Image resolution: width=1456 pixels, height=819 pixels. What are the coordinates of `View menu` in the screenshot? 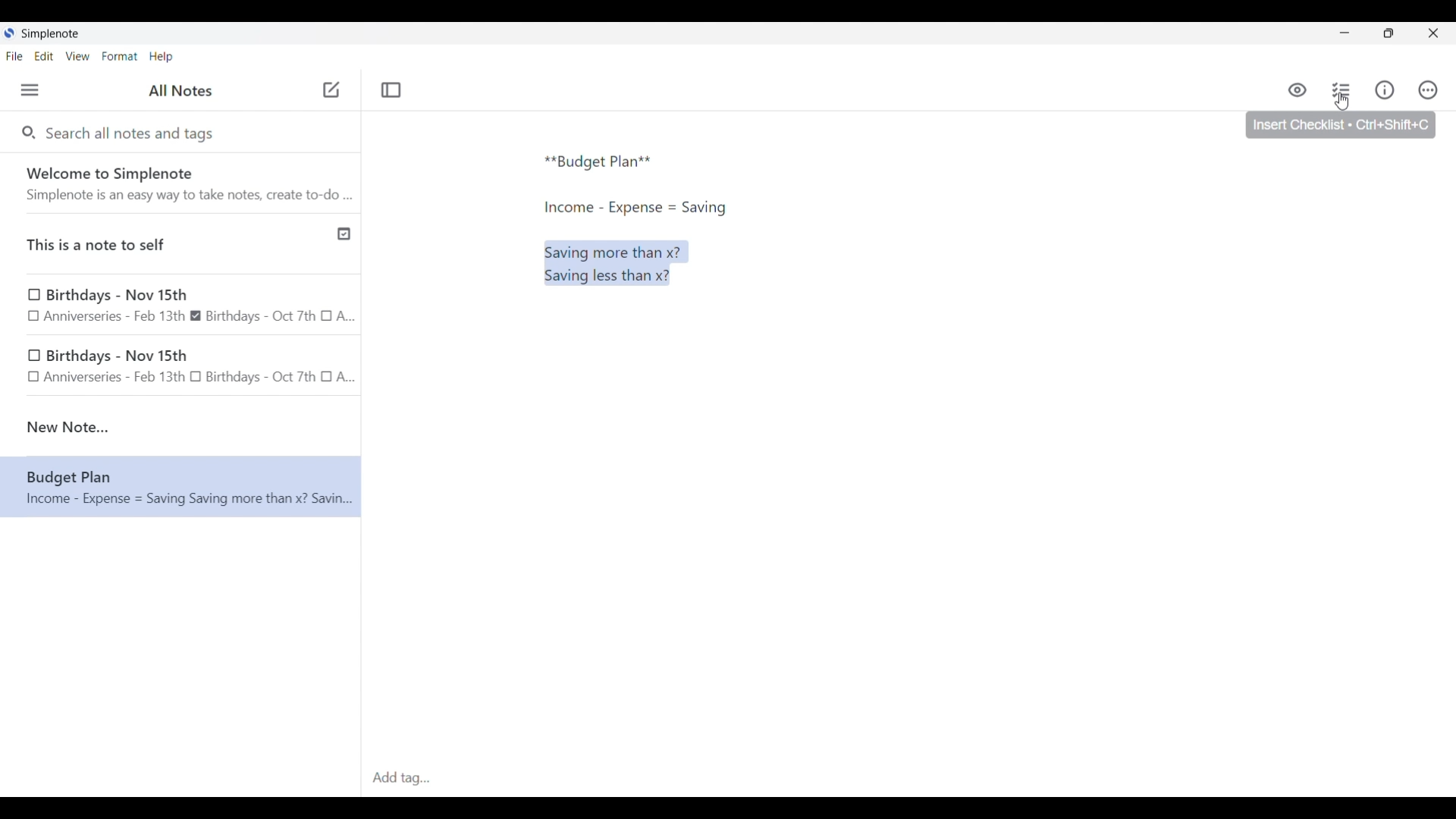 It's located at (78, 55).